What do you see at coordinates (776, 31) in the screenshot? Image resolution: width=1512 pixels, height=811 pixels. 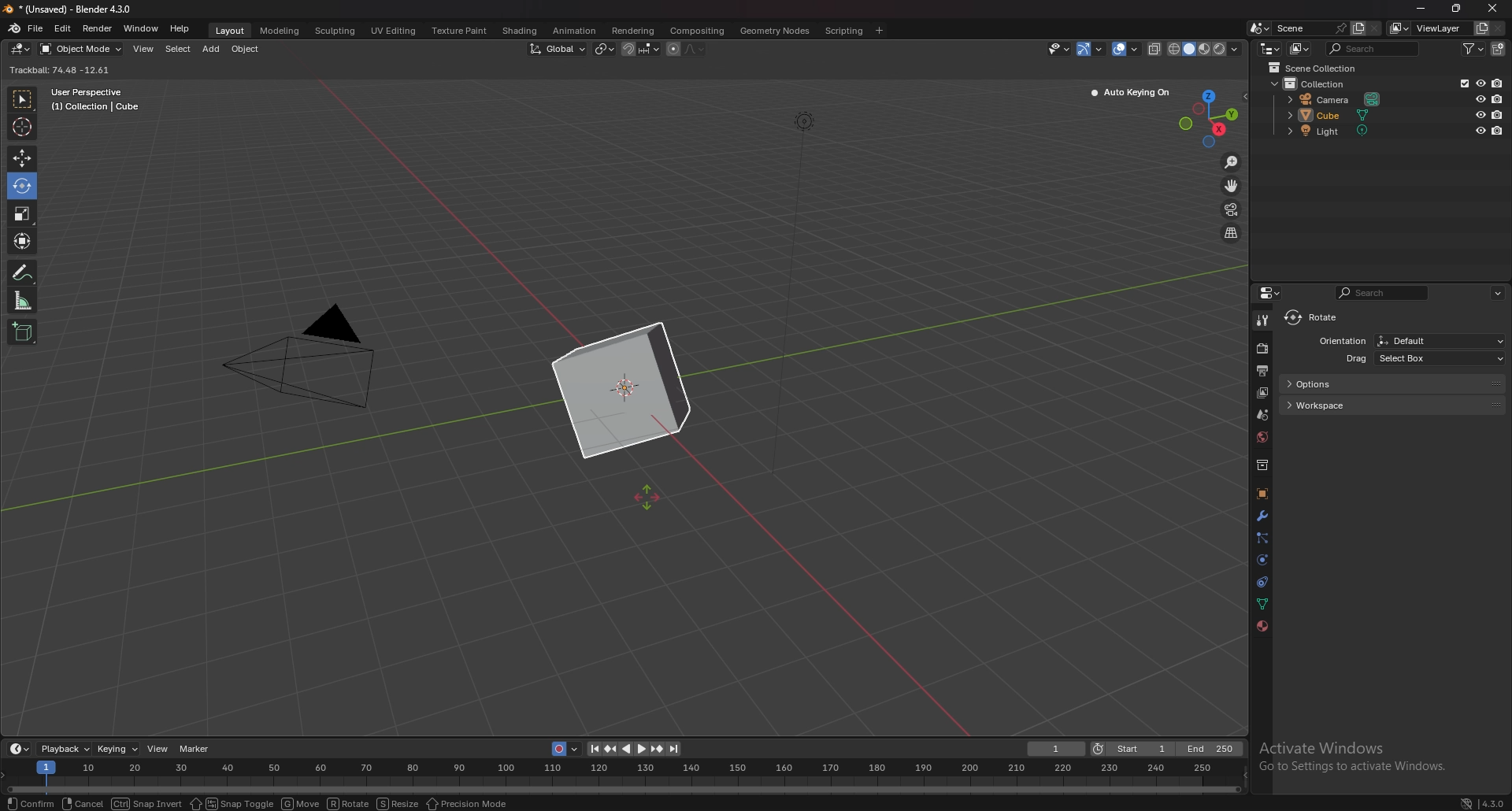 I see `geometry nodes` at bounding box center [776, 31].